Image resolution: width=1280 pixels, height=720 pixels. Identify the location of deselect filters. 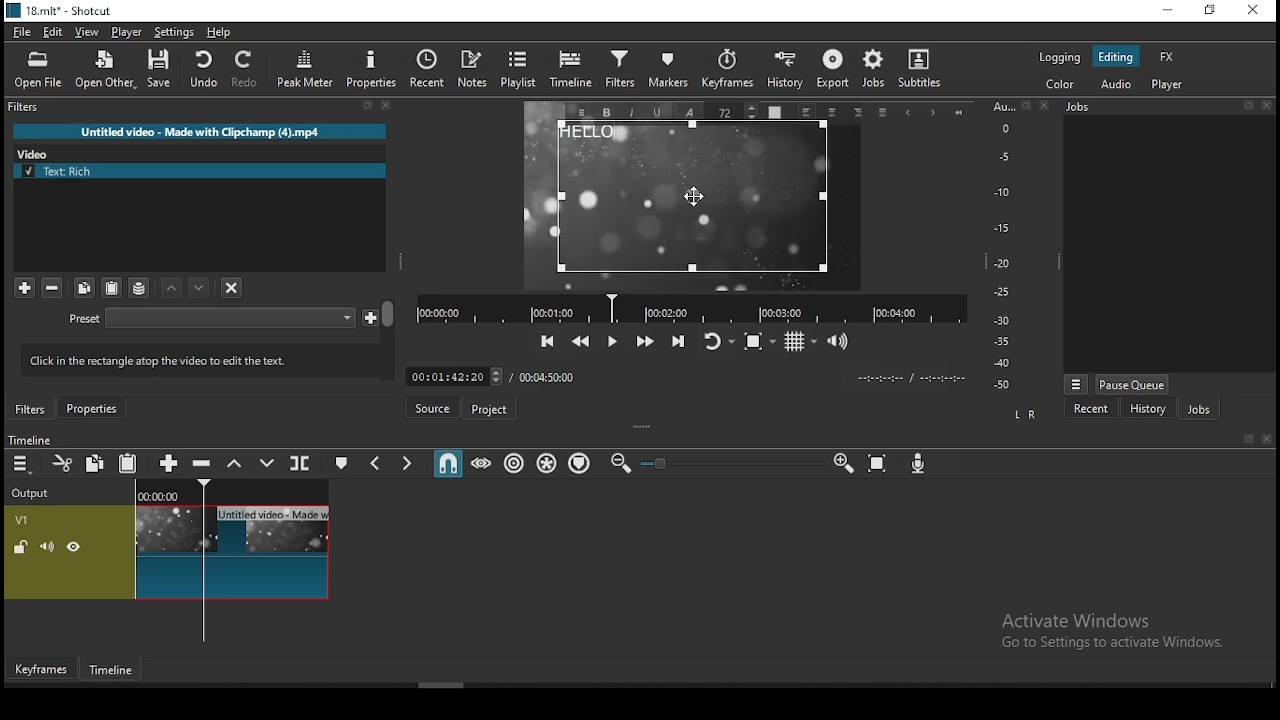
(230, 286).